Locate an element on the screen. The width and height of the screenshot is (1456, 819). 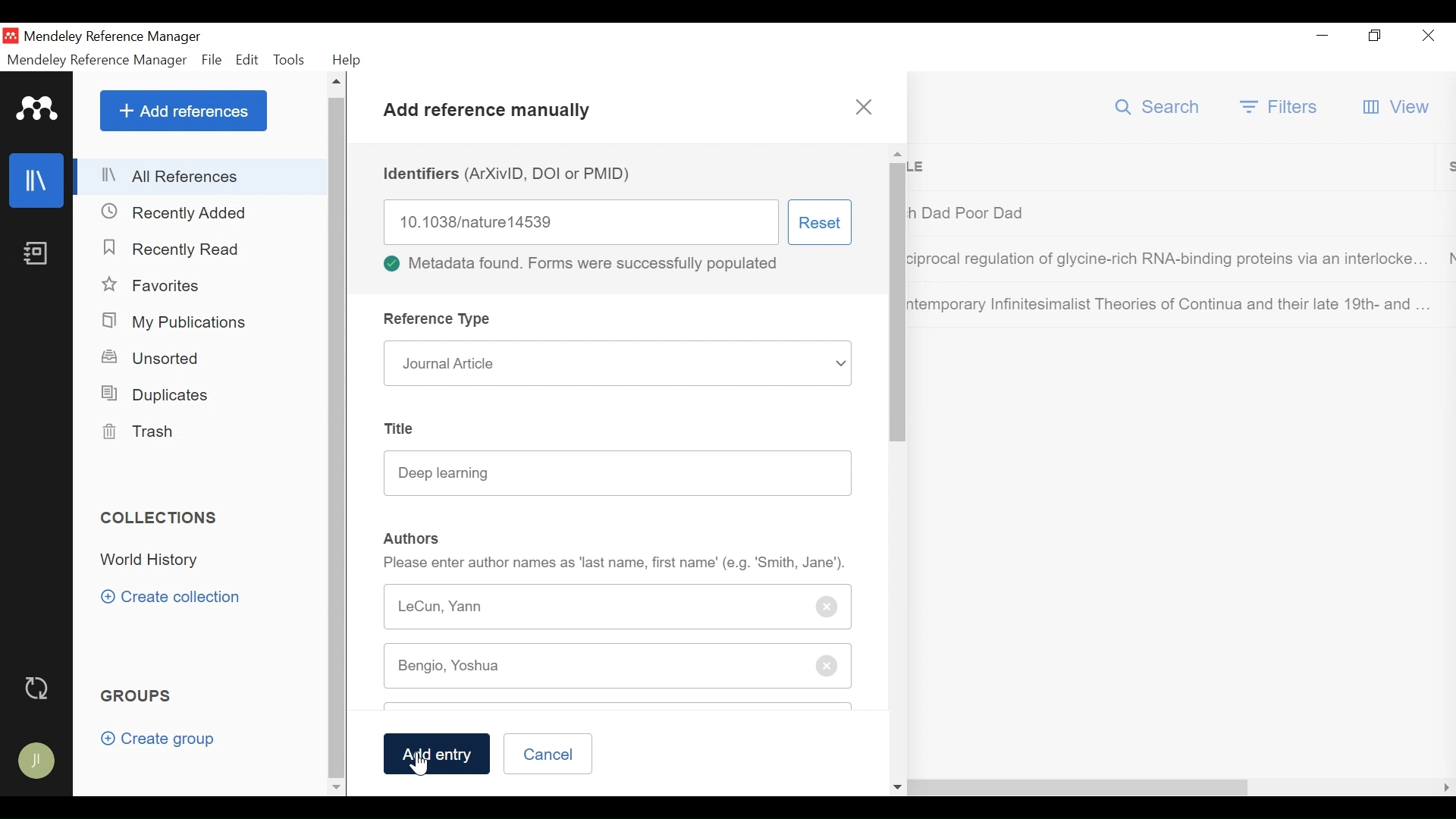
Trash is located at coordinates (139, 432).